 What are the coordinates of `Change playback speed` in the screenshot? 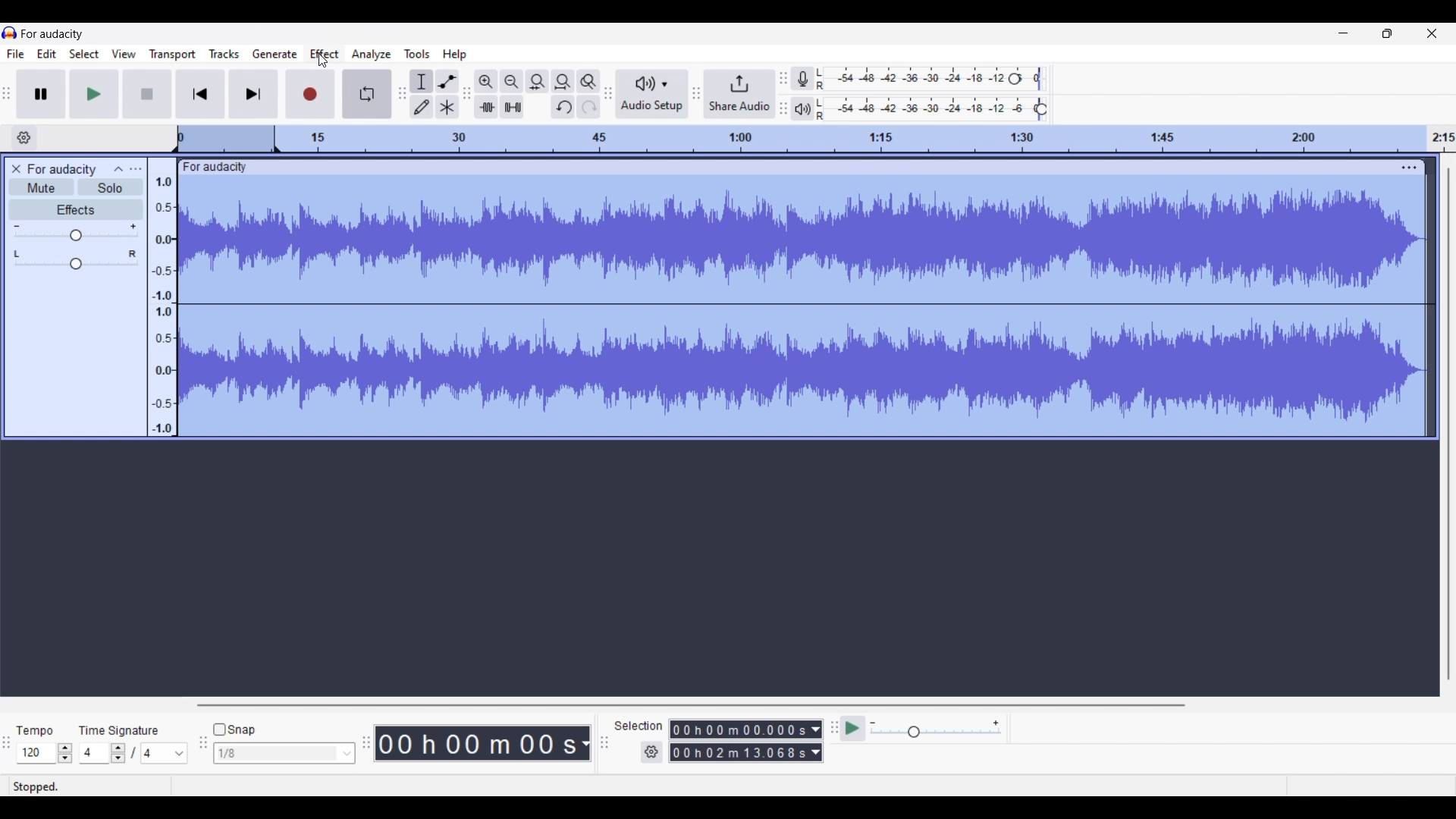 It's located at (935, 733).